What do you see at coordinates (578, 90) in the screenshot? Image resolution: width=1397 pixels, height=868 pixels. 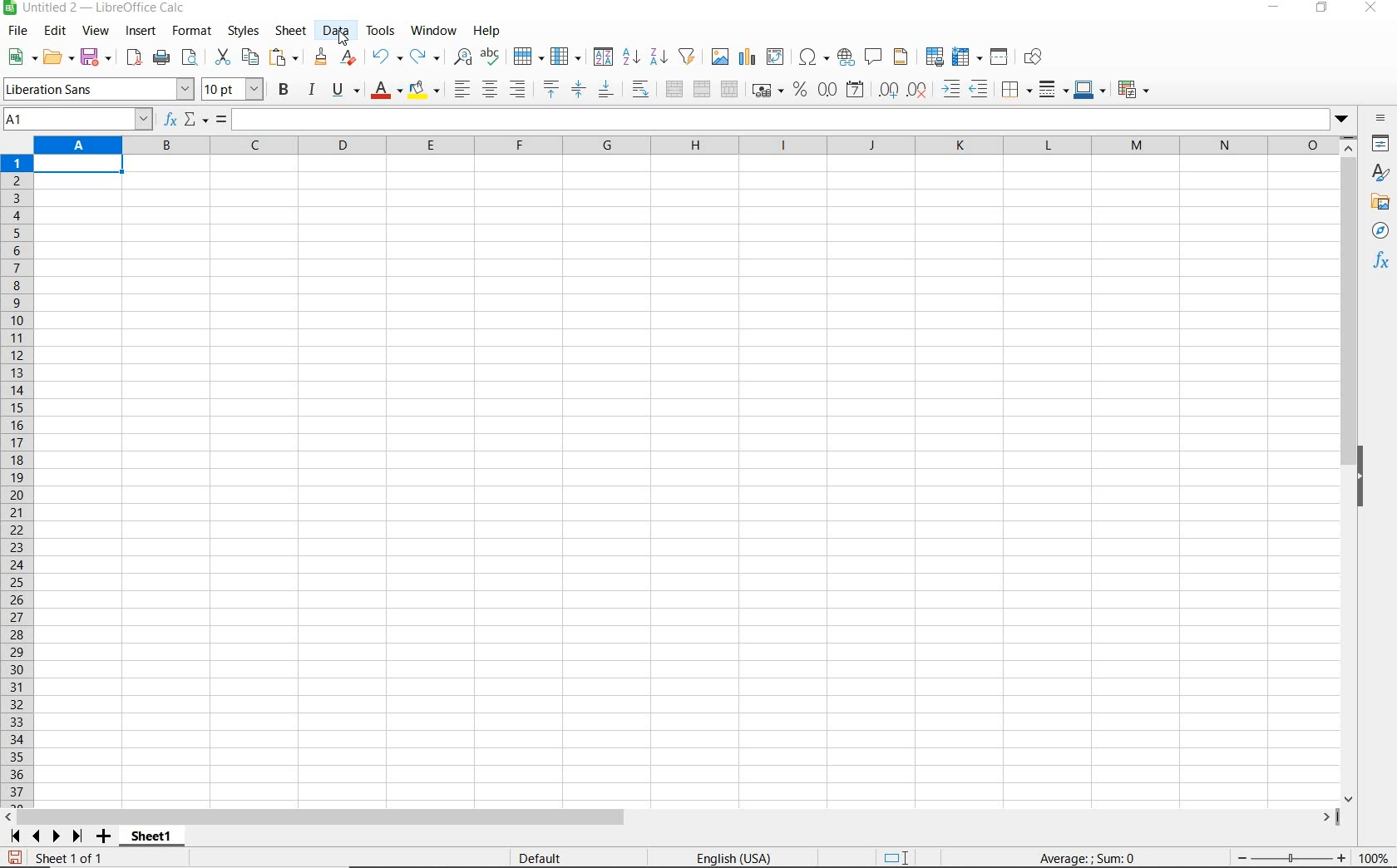 I see `center vertically` at bounding box center [578, 90].